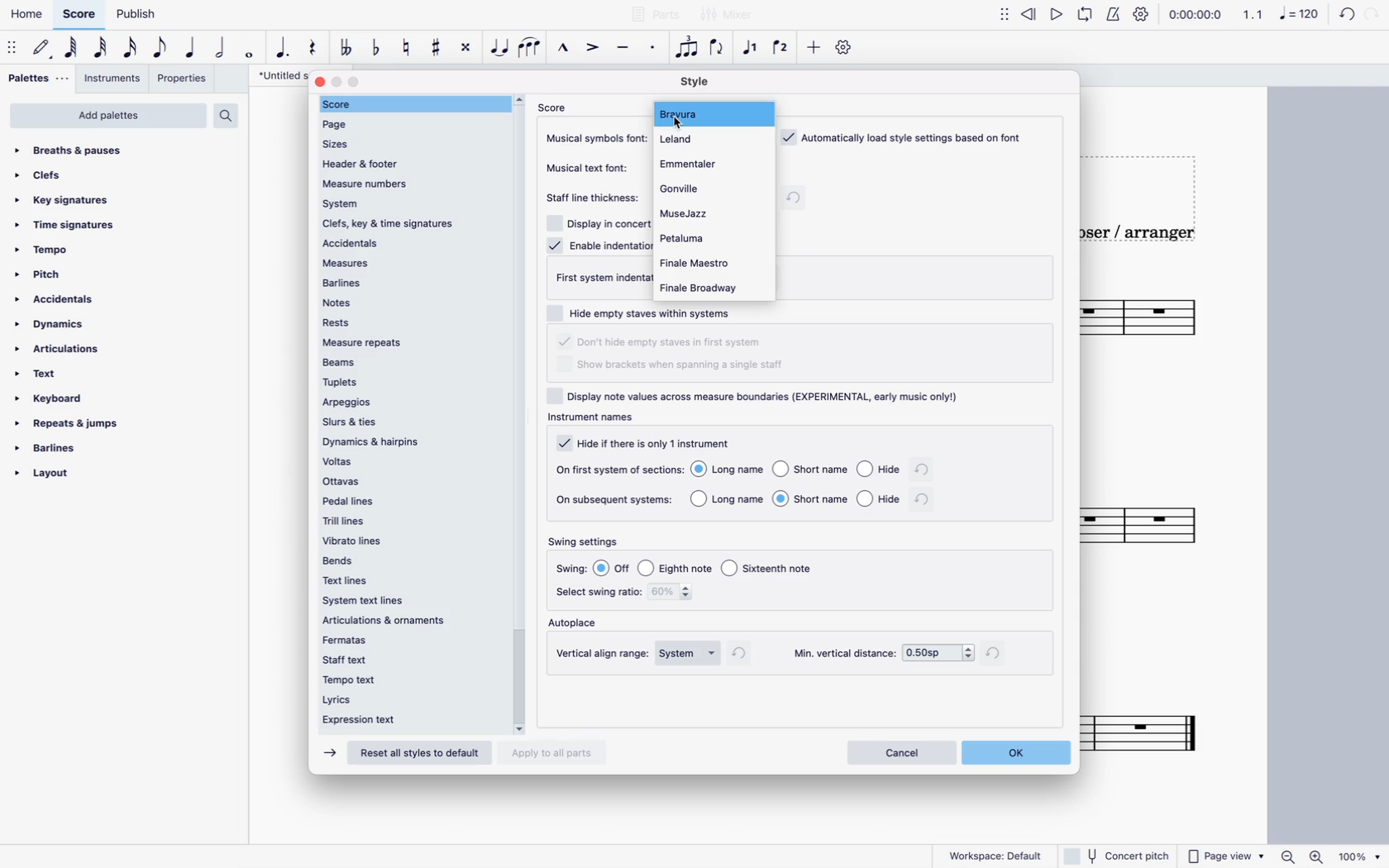 This screenshot has height=868, width=1389. Describe the element at coordinates (46, 254) in the screenshot. I see `tempo` at that location.